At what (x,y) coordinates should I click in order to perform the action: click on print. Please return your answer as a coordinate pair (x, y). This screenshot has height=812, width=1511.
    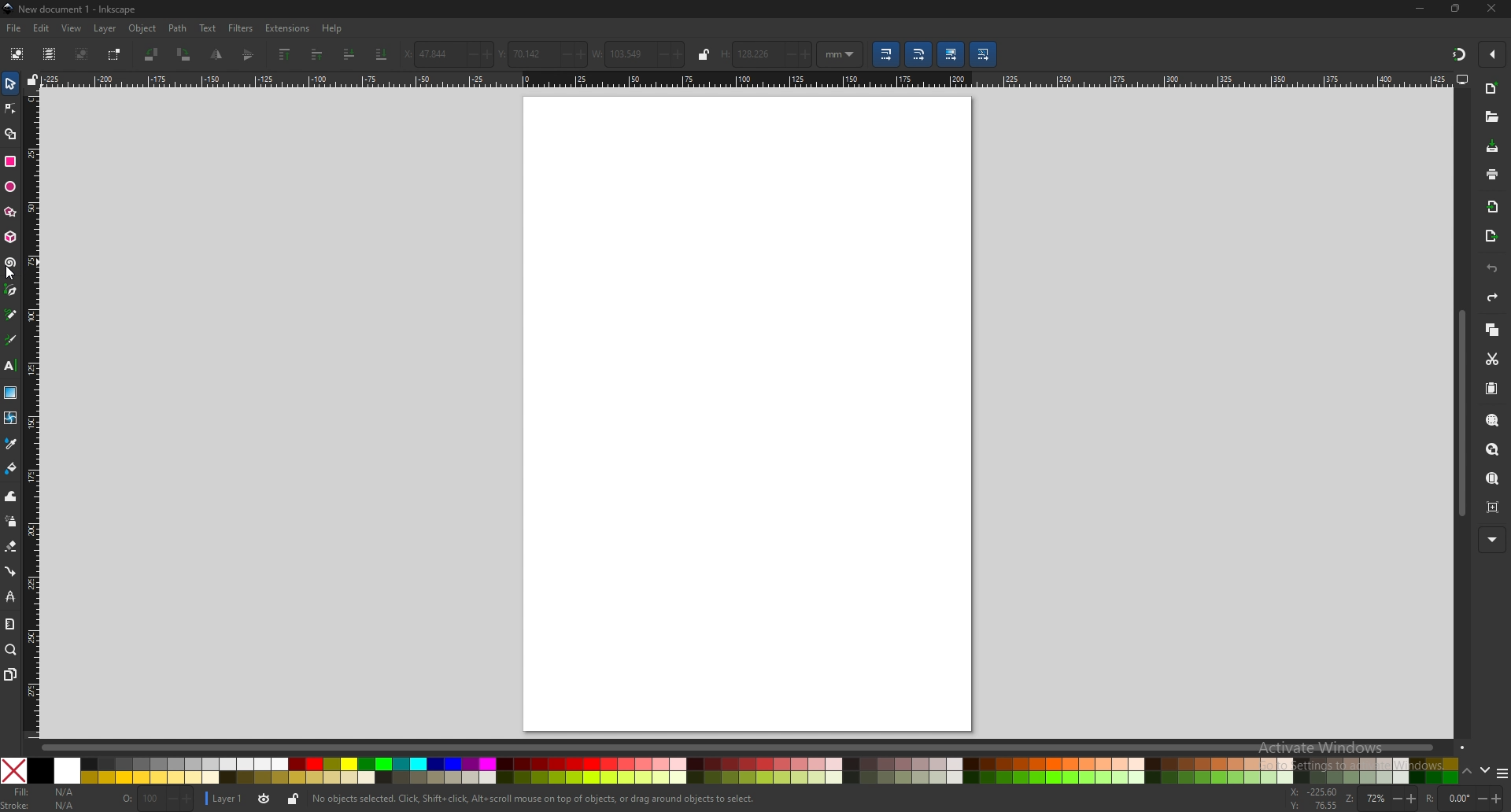
    Looking at the image, I should click on (1491, 174).